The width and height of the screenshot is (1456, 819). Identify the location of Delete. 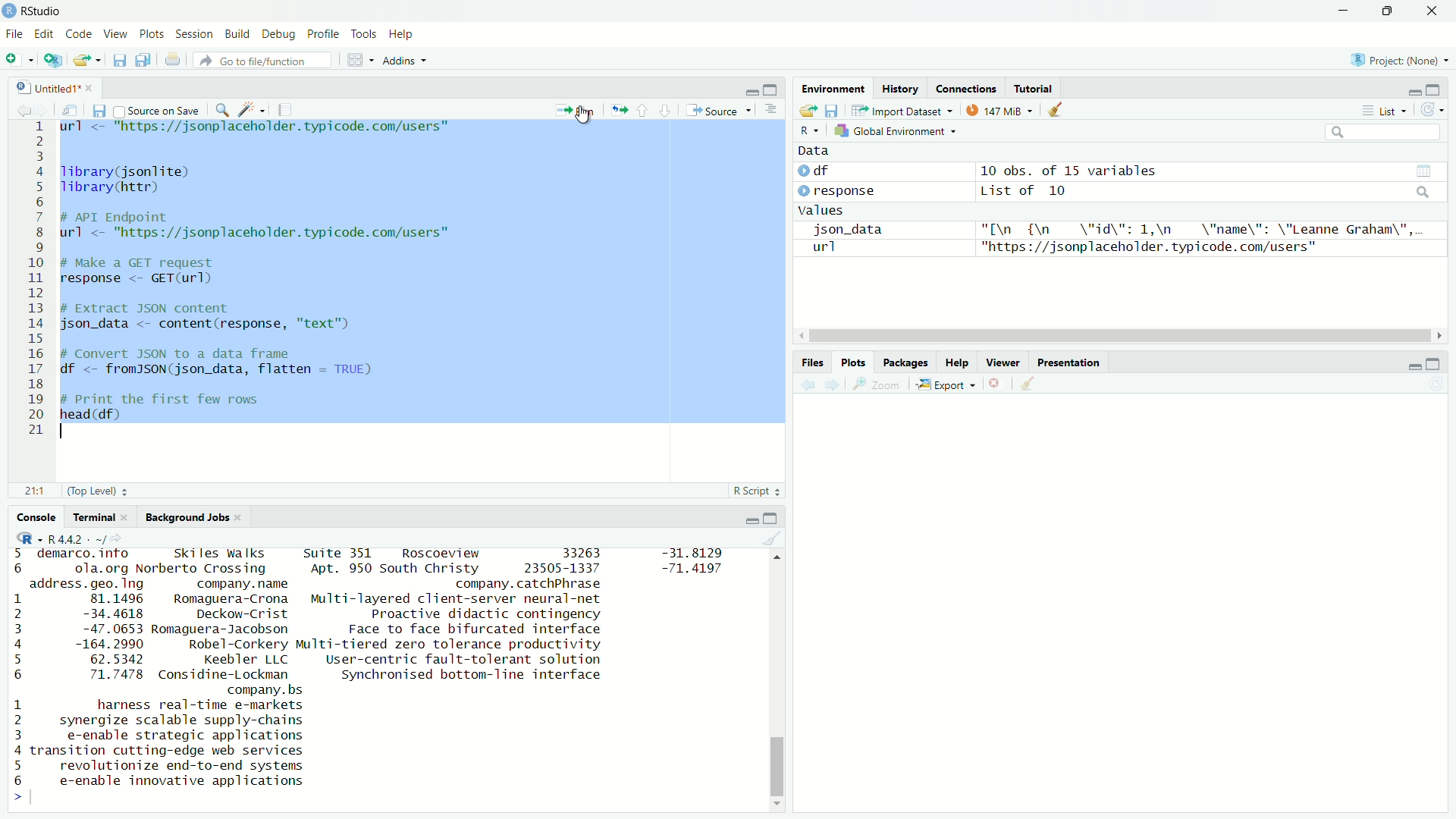
(994, 385).